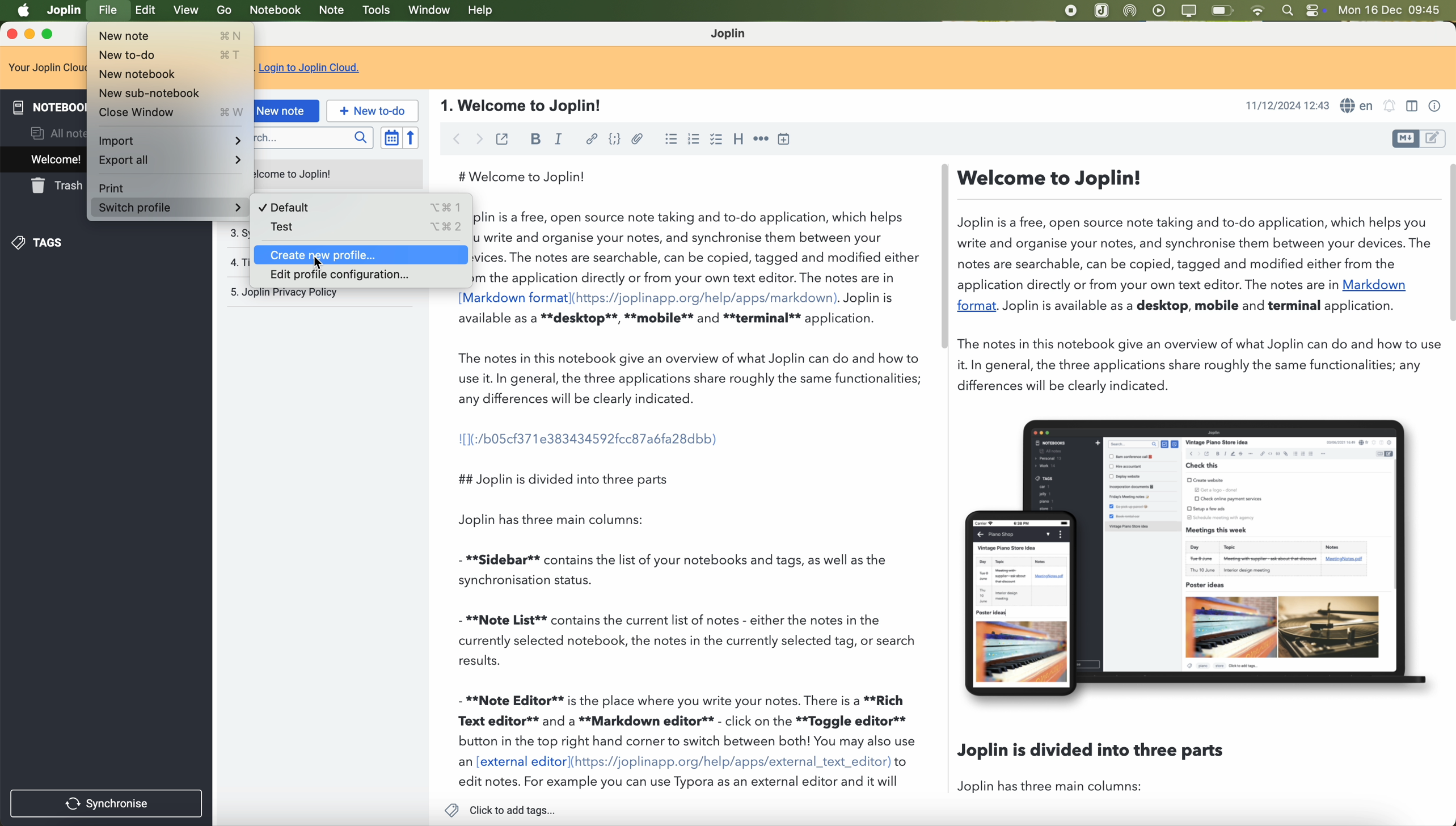 The width and height of the screenshot is (1456, 826). I want to click on Joplin app, so click(1102, 12).